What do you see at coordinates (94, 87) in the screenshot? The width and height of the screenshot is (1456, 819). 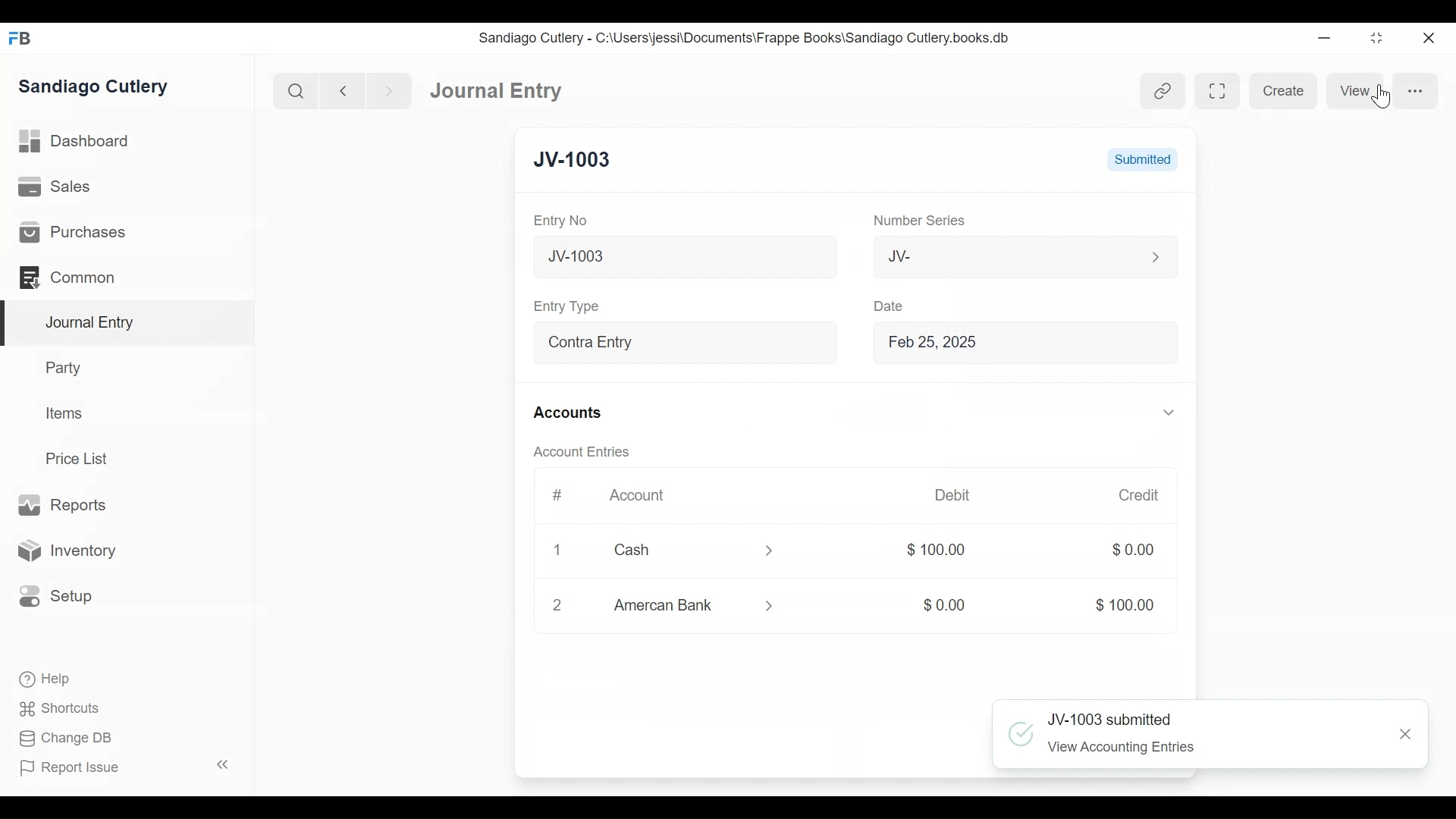 I see `Sandiago Cutlery` at bounding box center [94, 87].